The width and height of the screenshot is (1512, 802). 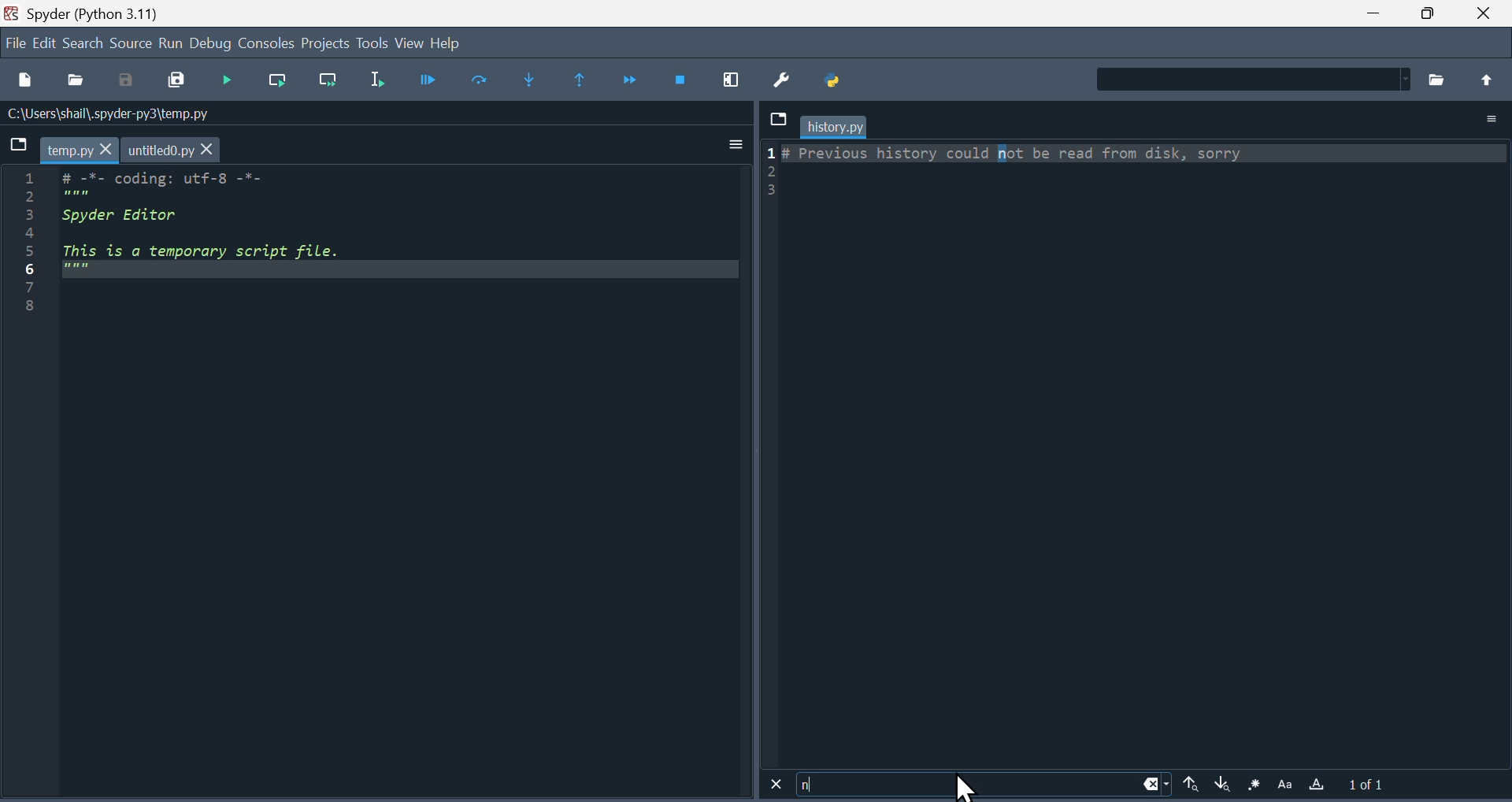 I want to click on Find in Files, so click(x=1251, y=79).